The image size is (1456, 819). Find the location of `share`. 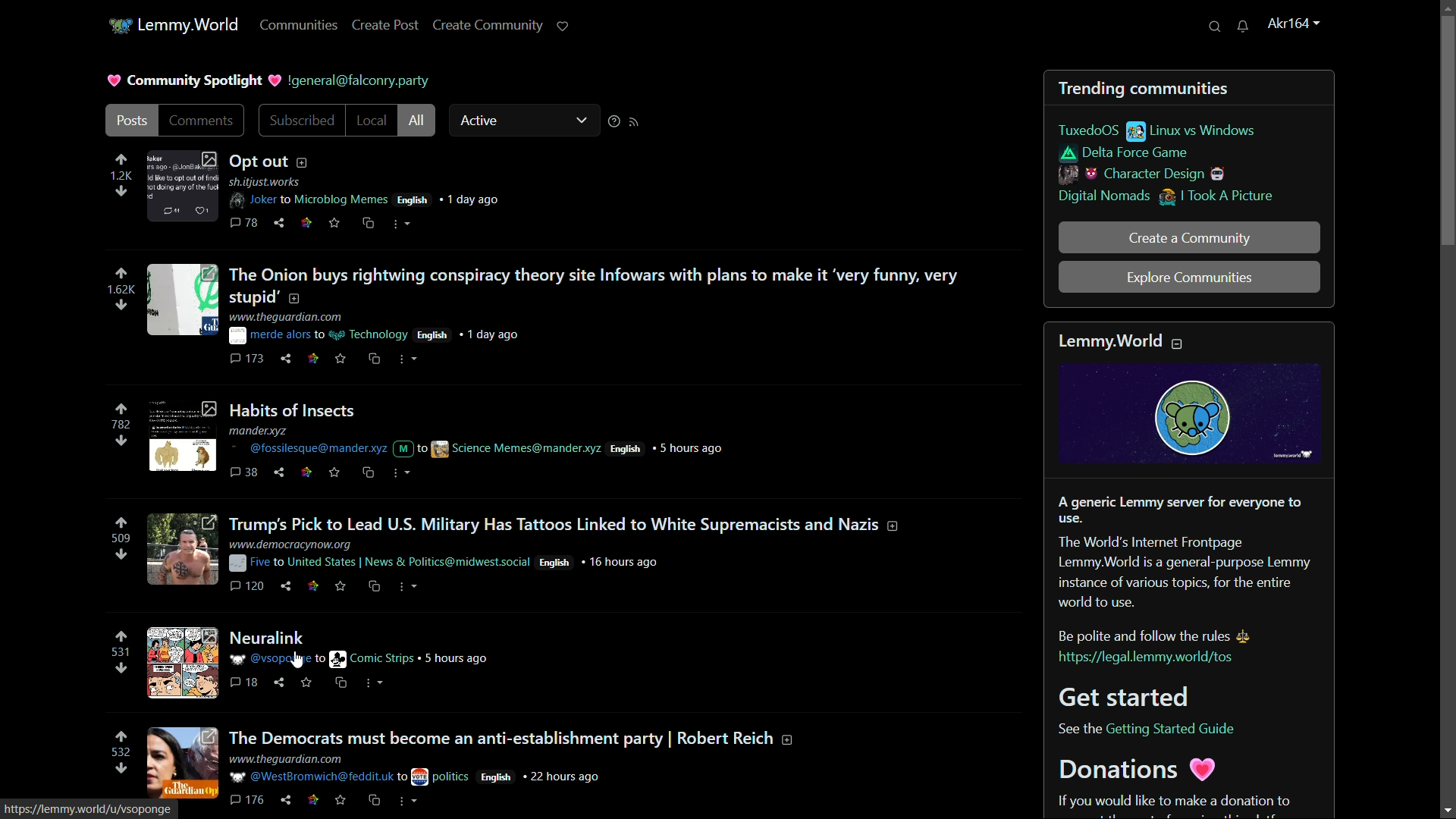

share is located at coordinates (279, 683).